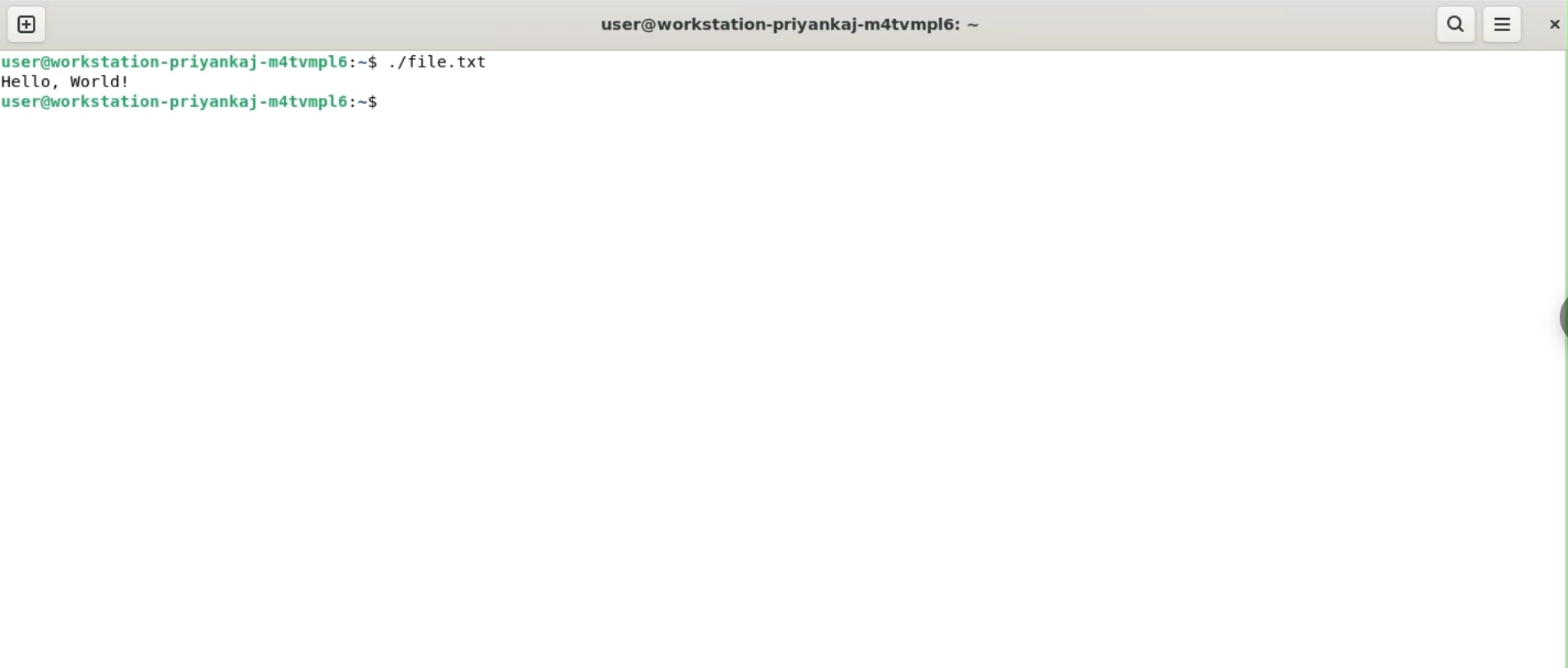 This screenshot has height=668, width=1568. Describe the element at coordinates (1504, 26) in the screenshot. I see `menu` at that location.